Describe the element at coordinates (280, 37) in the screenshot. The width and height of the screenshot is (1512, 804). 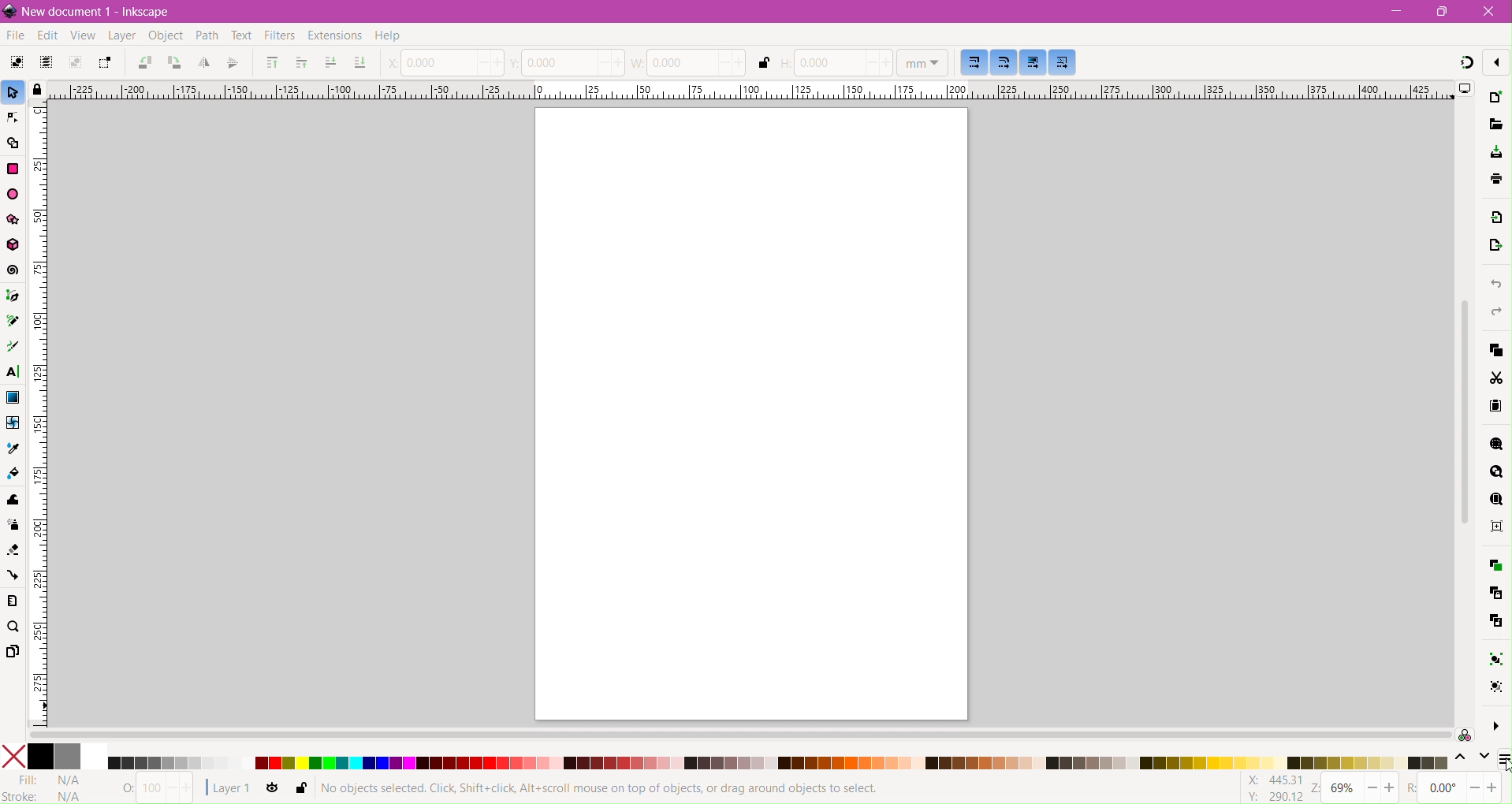
I see `Filters` at that location.